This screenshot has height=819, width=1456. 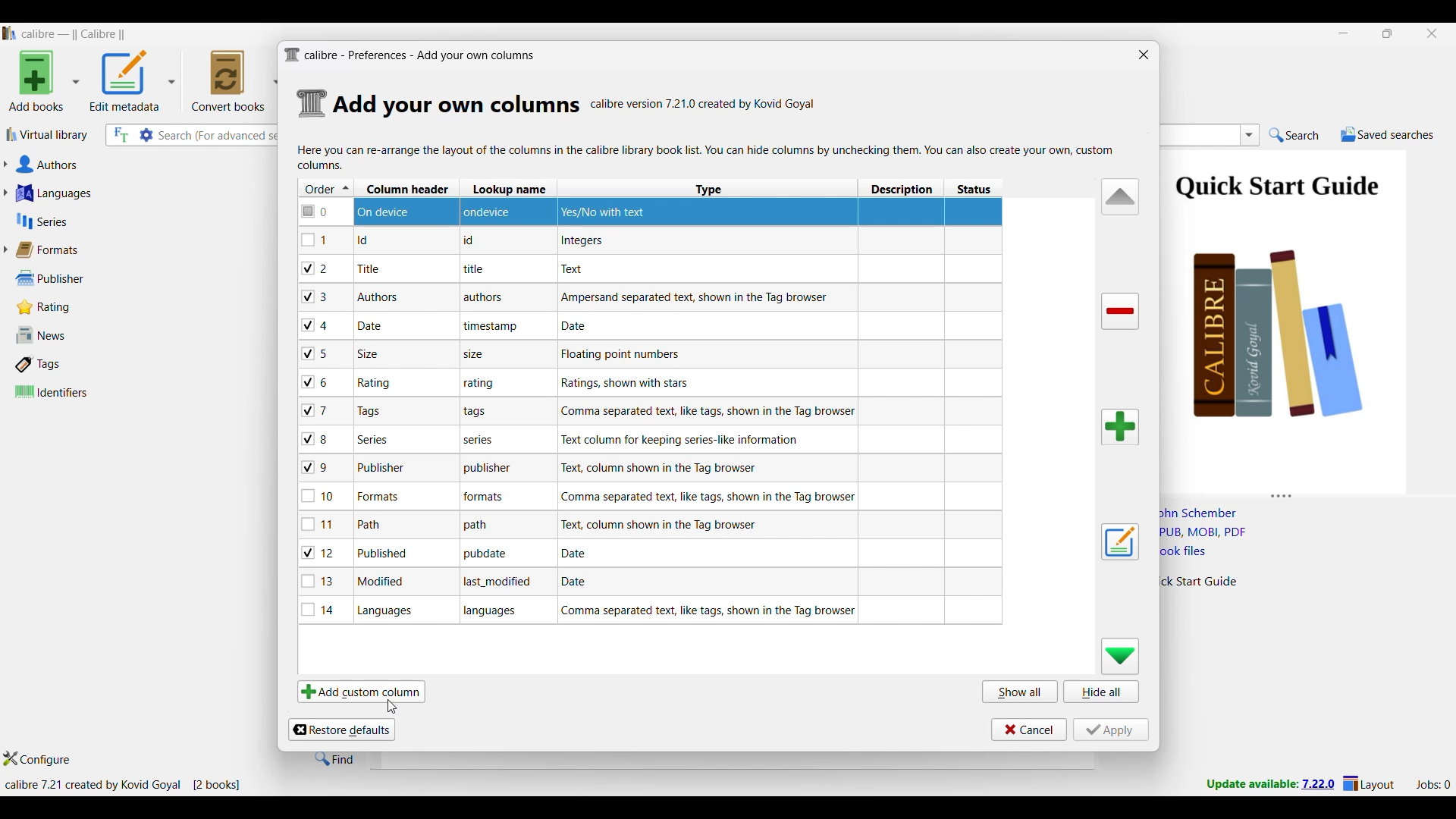 I want to click on Explanation, so click(x=695, y=440).